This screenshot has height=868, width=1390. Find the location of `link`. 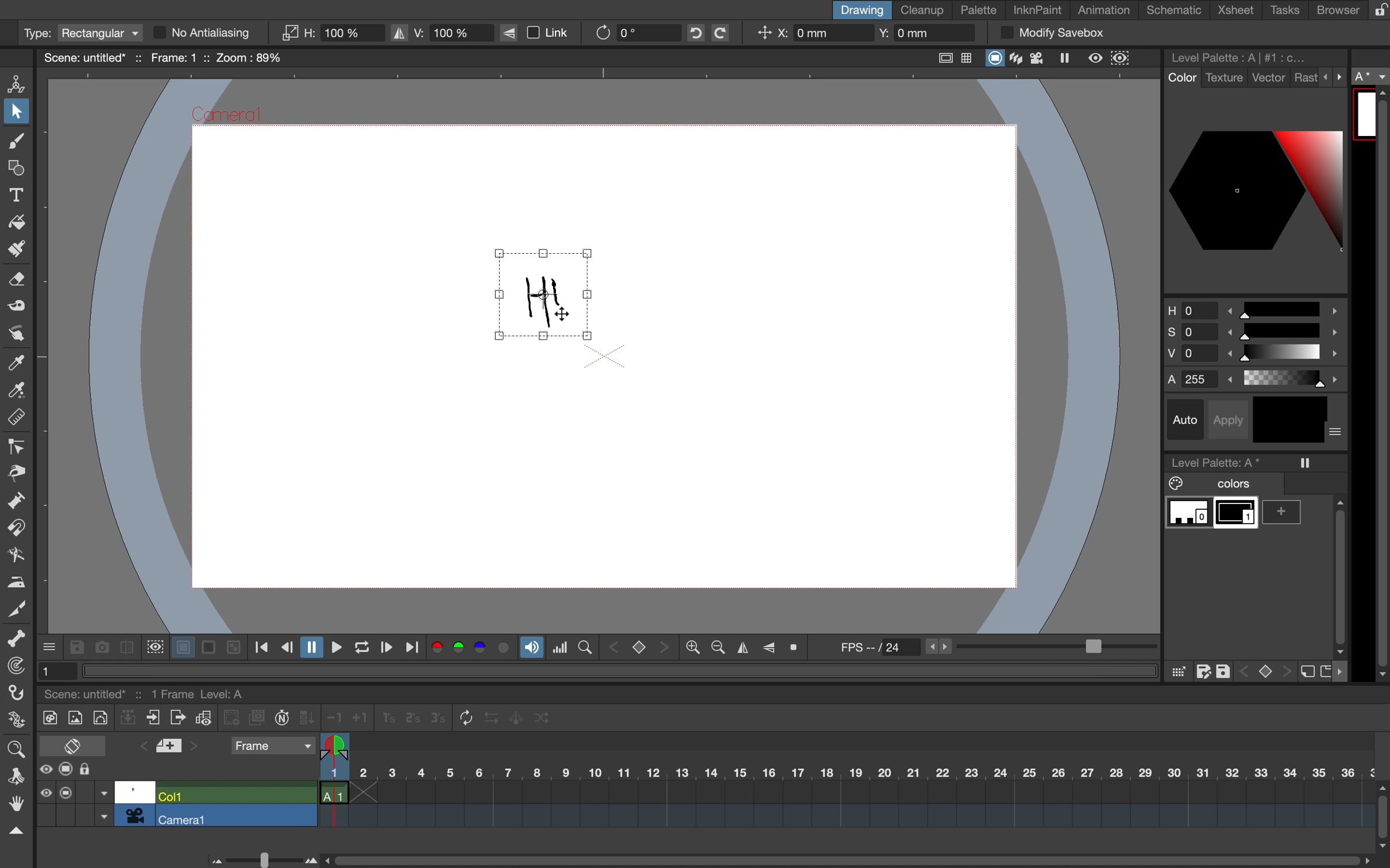

link is located at coordinates (542, 33).